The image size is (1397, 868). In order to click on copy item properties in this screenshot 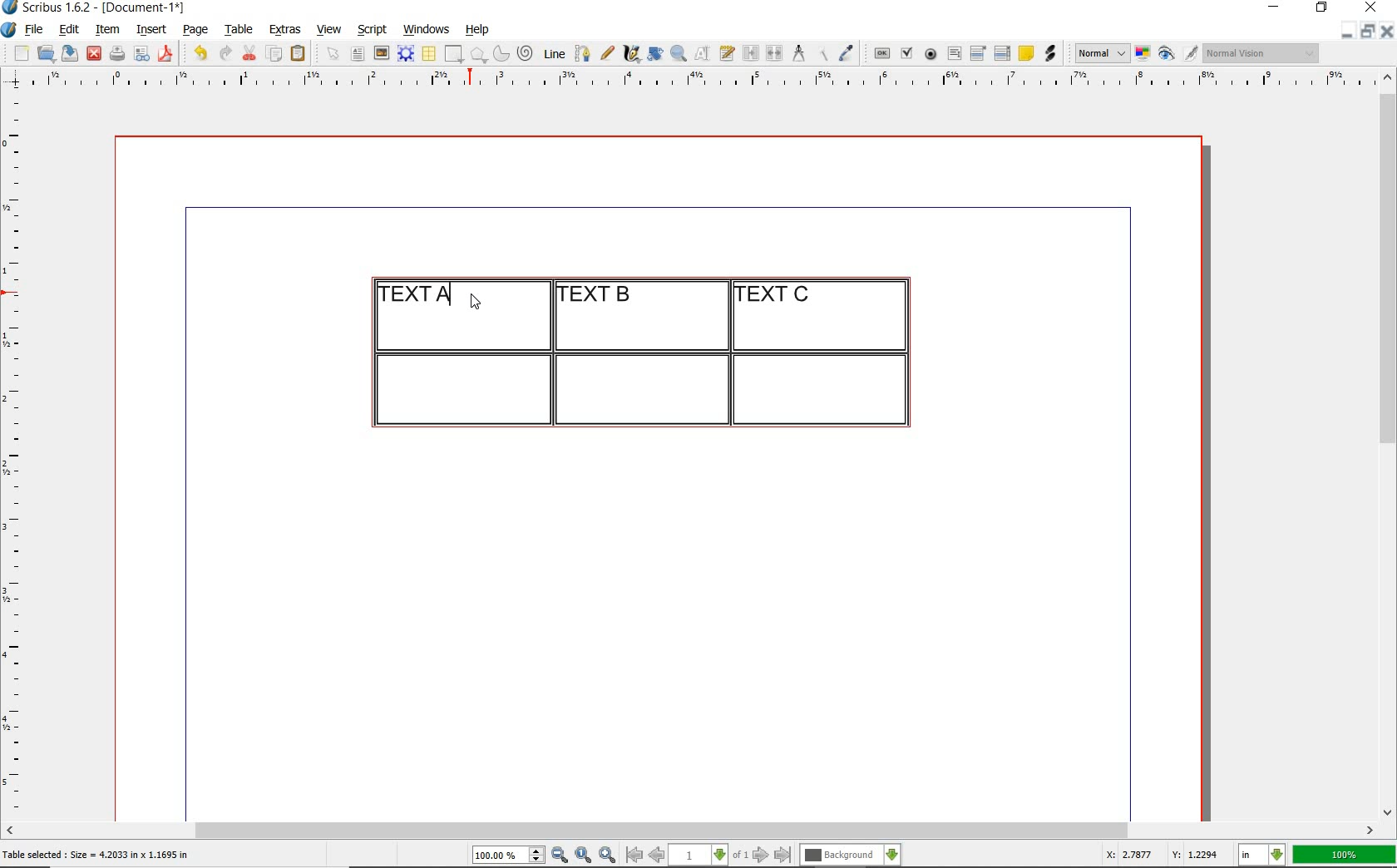, I will do `click(822, 53)`.